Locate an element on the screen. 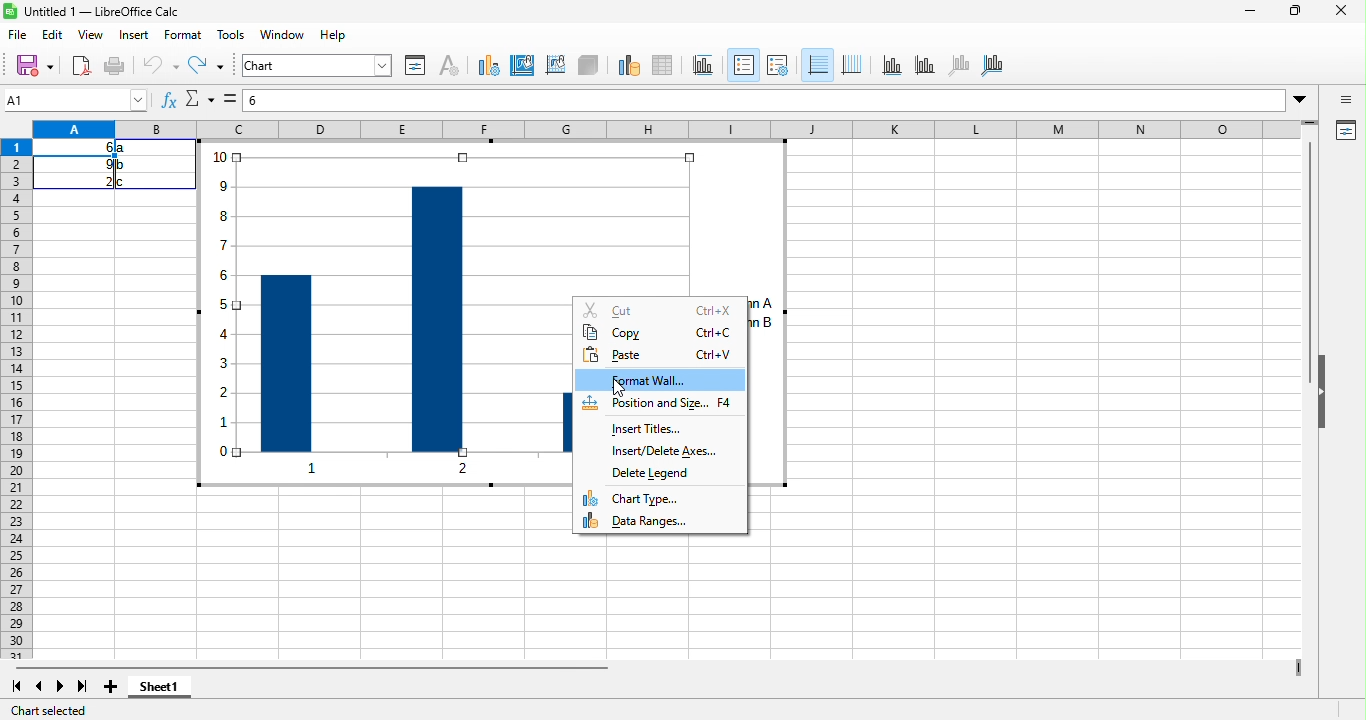 The width and height of the screenshot is (1366, 720). undo is located at coordinates (155, 65).